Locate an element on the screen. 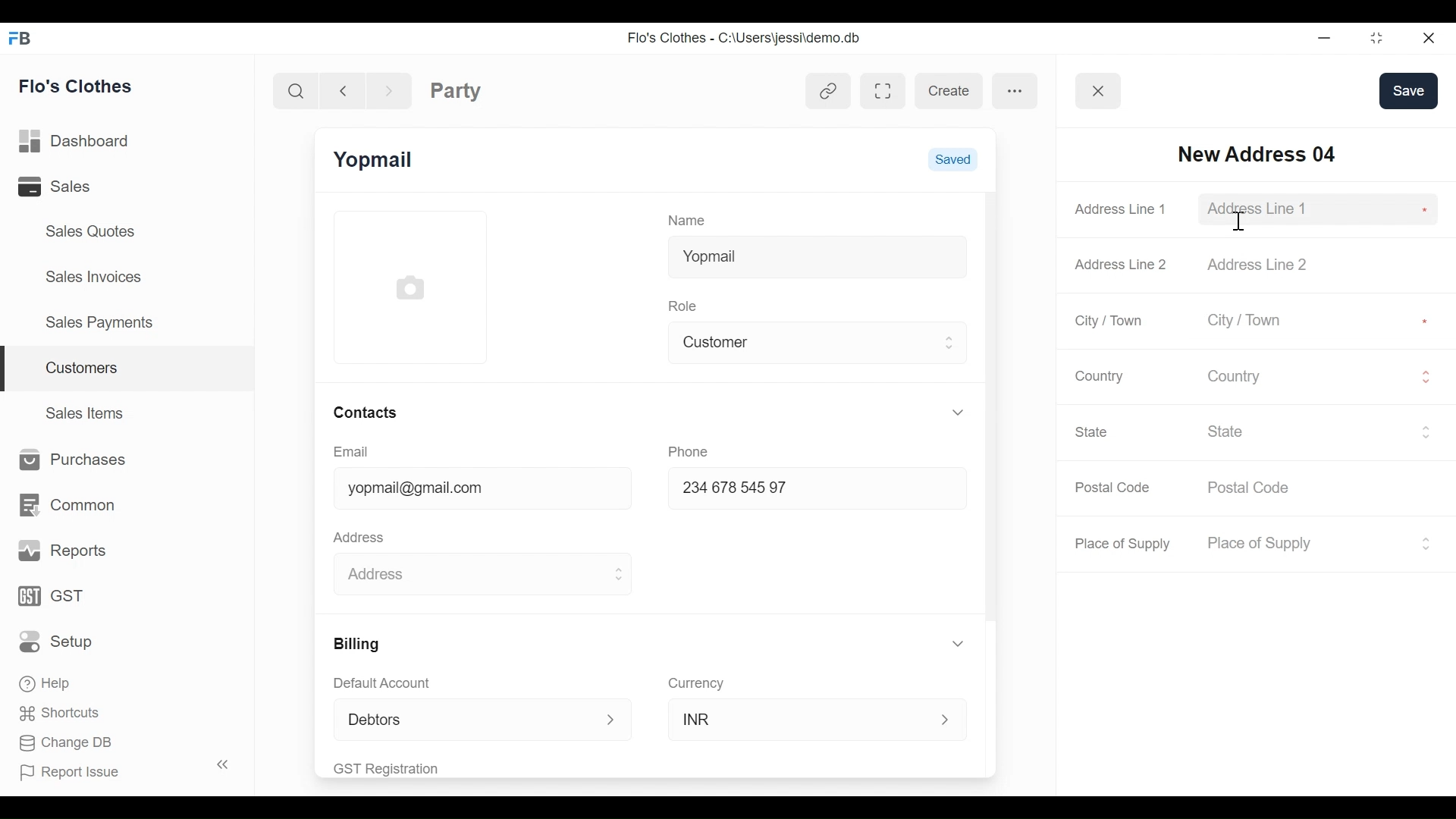 The height and width of the screenshot is (819, 1456). Billing is located at coordinates (355, 644).